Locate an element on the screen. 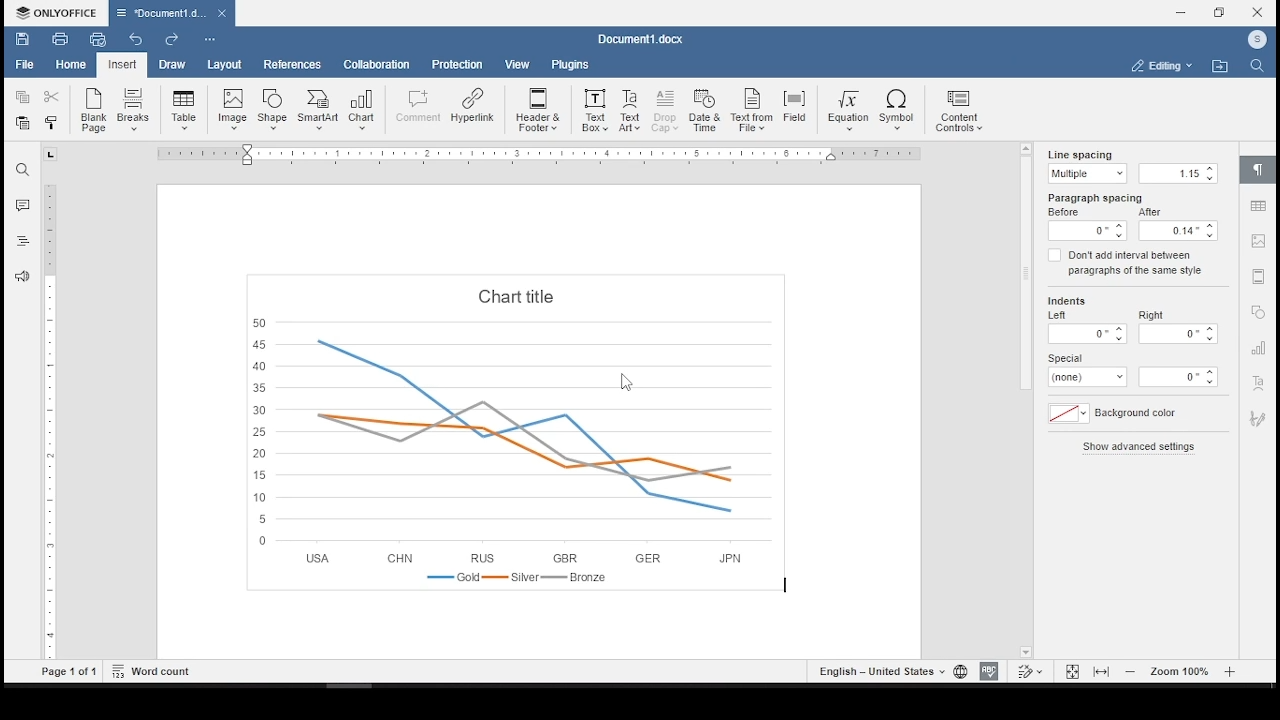  set text language is located at coordinates (880, 671).